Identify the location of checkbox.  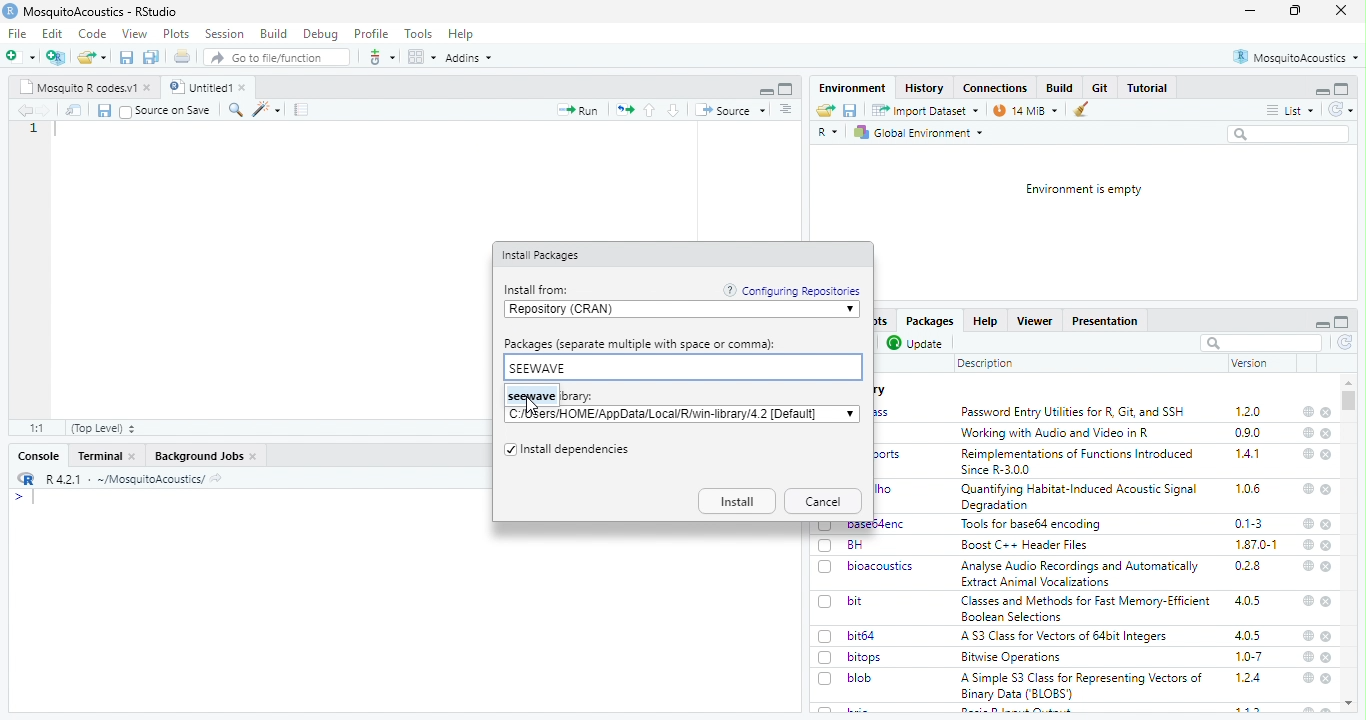
(508, 451).